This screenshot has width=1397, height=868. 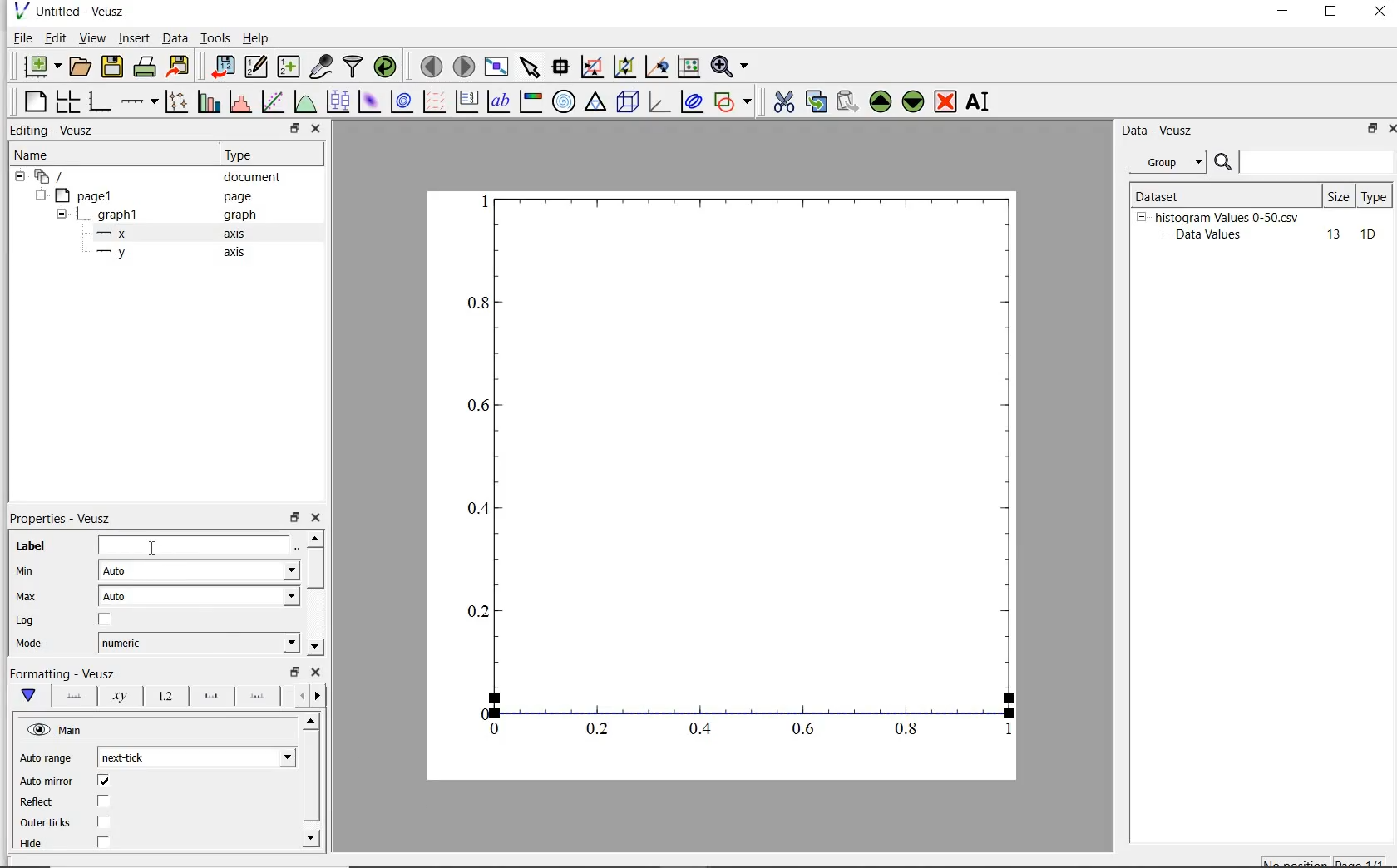 What do you see at coordinates (496, 65) in the screenshot?
I see `view plot fullscreen` at bounding box center [496, 65].